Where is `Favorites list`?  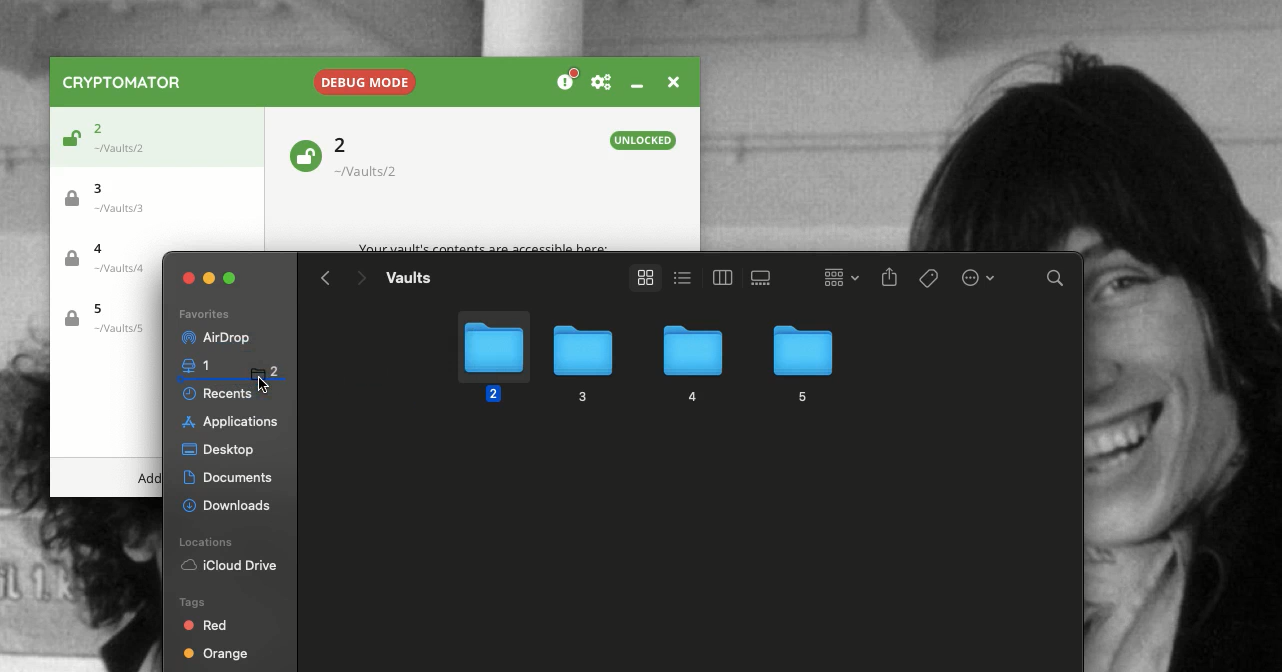 Favorites list is located at coordinates (203, 315).